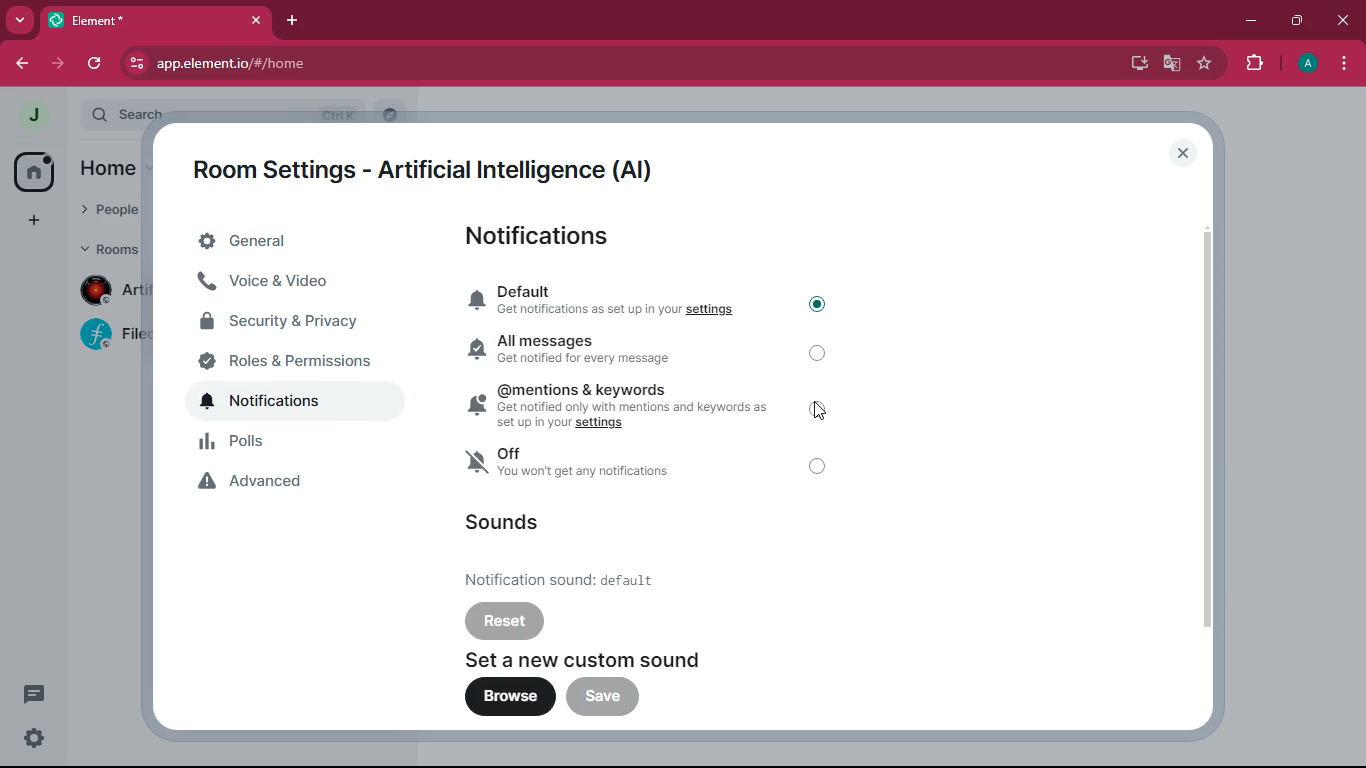  What do you see at coordinates (817, 304) in the screenshot?
I see `on` at bounding box center [817, 304].